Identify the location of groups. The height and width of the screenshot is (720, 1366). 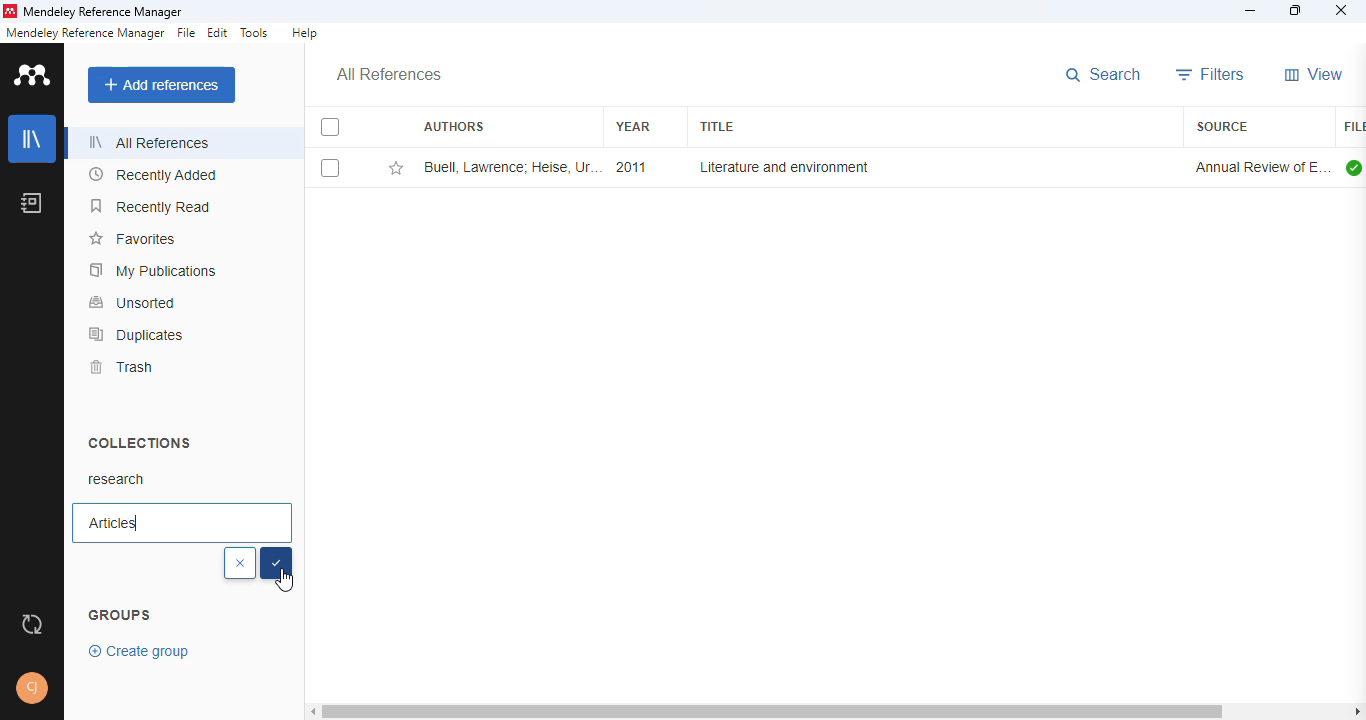
(120, 613).